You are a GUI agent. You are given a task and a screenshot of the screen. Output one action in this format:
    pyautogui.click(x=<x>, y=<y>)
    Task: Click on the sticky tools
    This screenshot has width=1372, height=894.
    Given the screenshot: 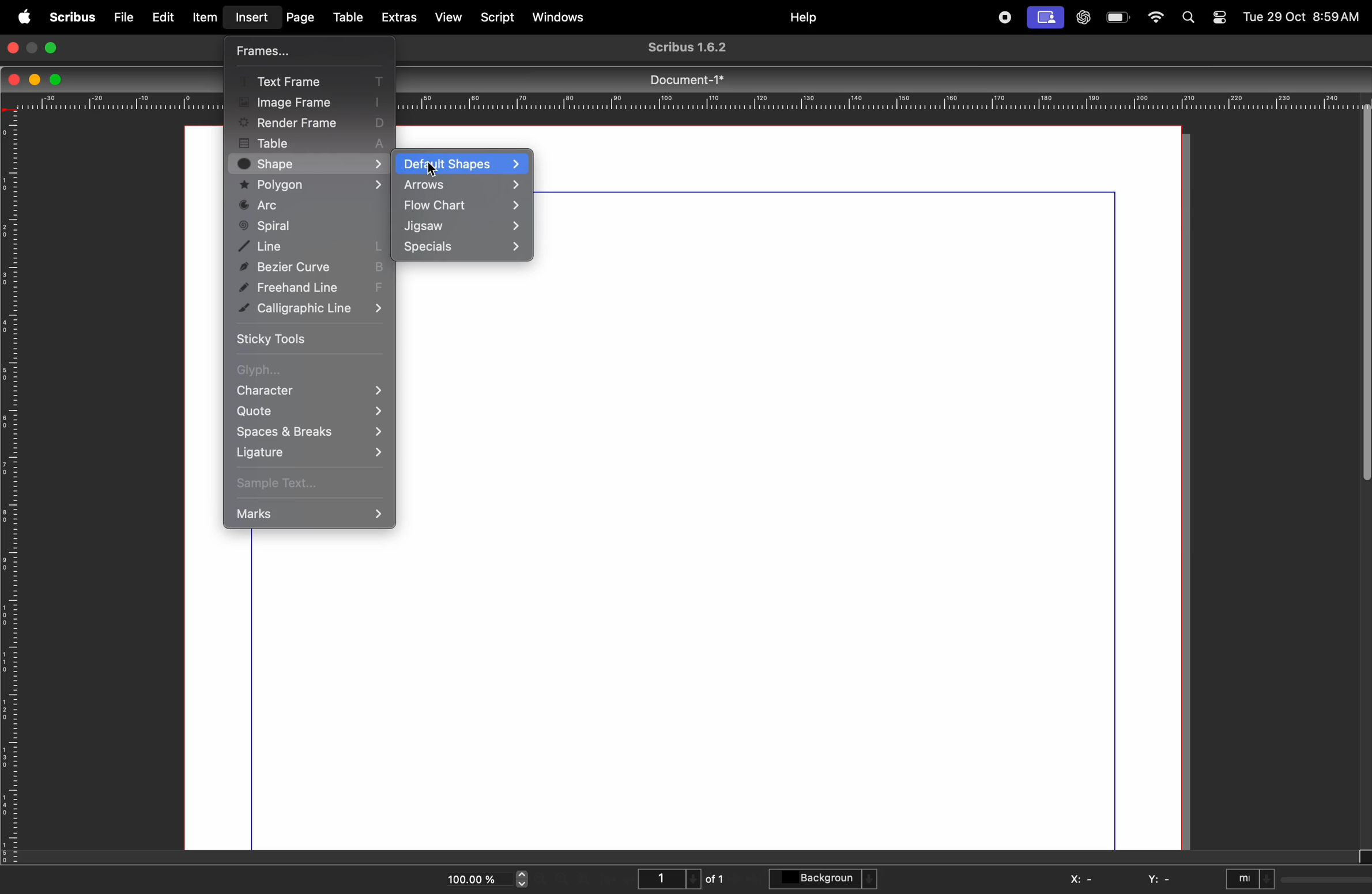 What is the action you would take?
    pyautogui.click(x=302, y=338)
    